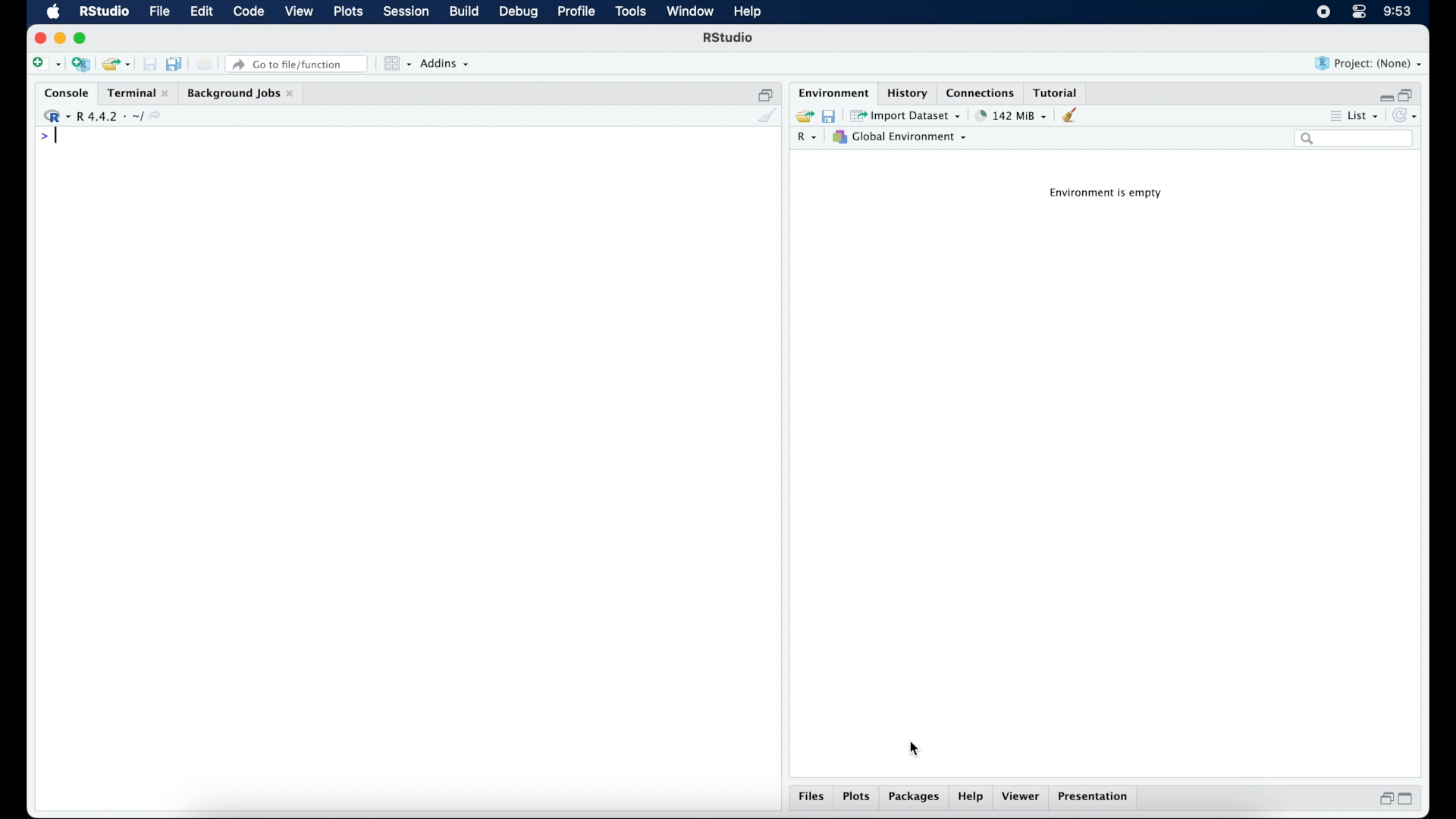 This screenshot has height=819, width=1456. Describe the element at coordinates (765, 92) in the screenshot. I see `restore down` at that location.